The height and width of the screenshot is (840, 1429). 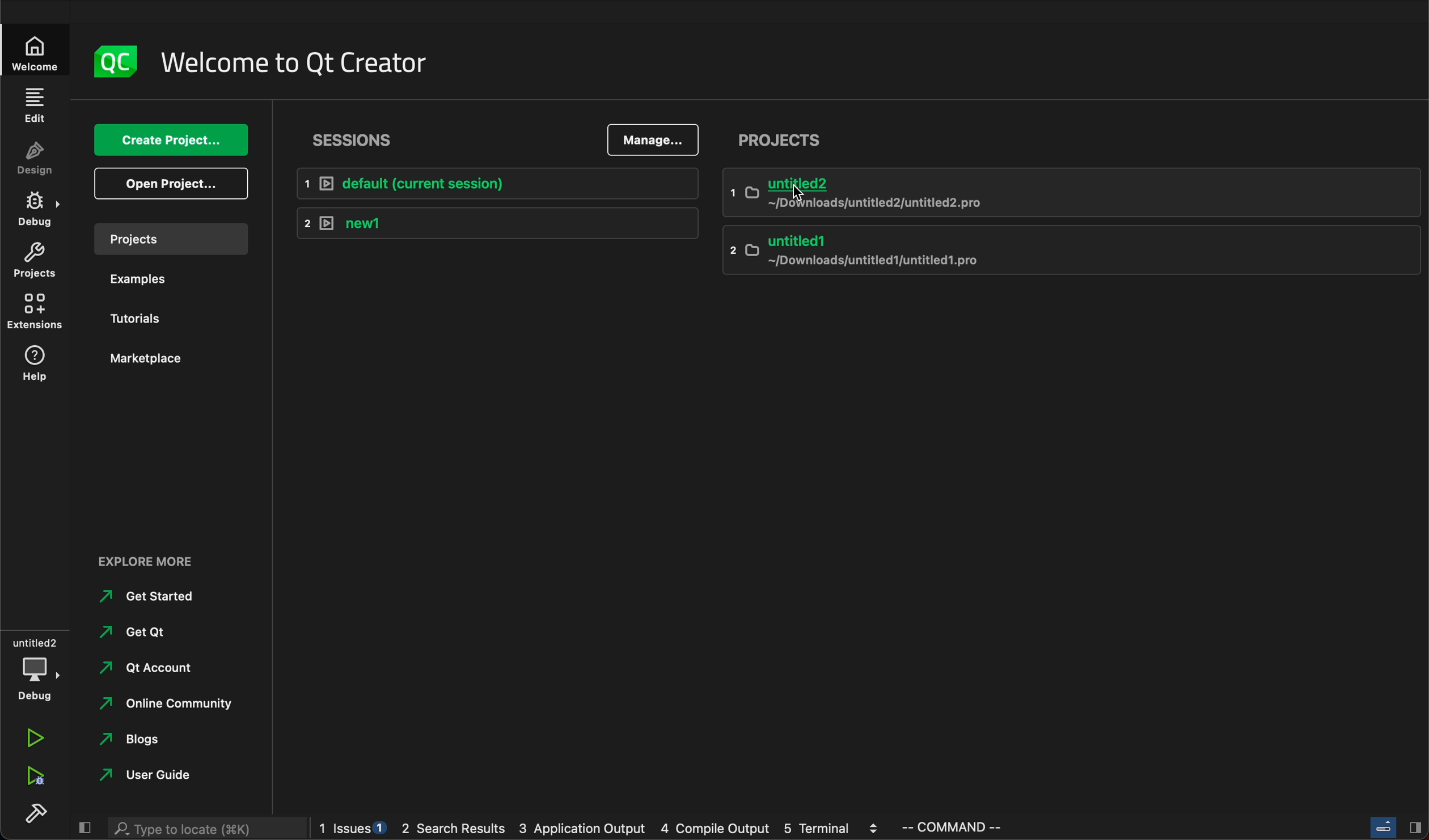 What do you see at coordinates (31, 820) in the screenshot?
I see `build` at bounding box center [31, 820].